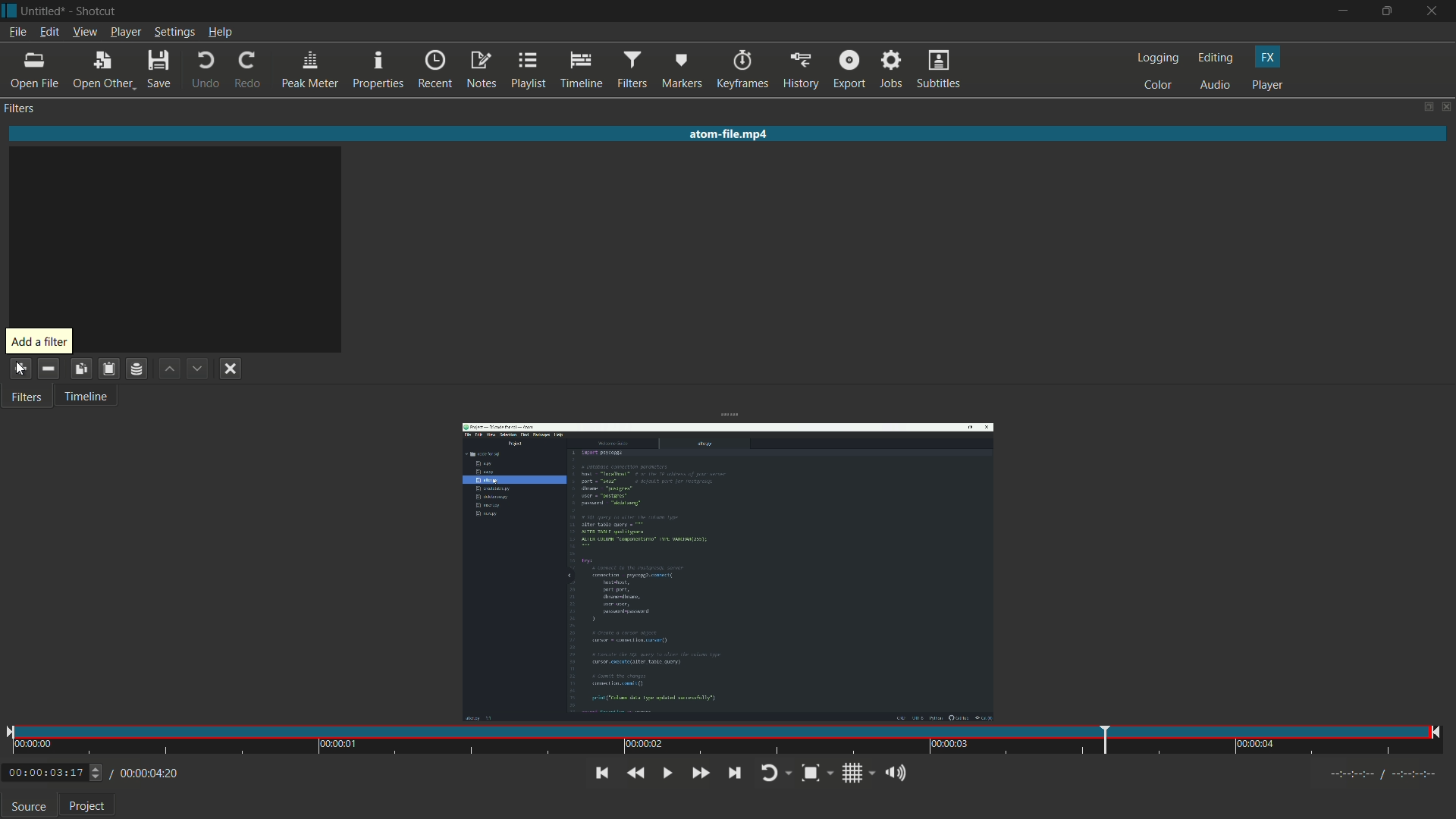 Image resolution: width=1456 pixels, height=819 pixels. I want to click on subtitles, so click(941, 70).